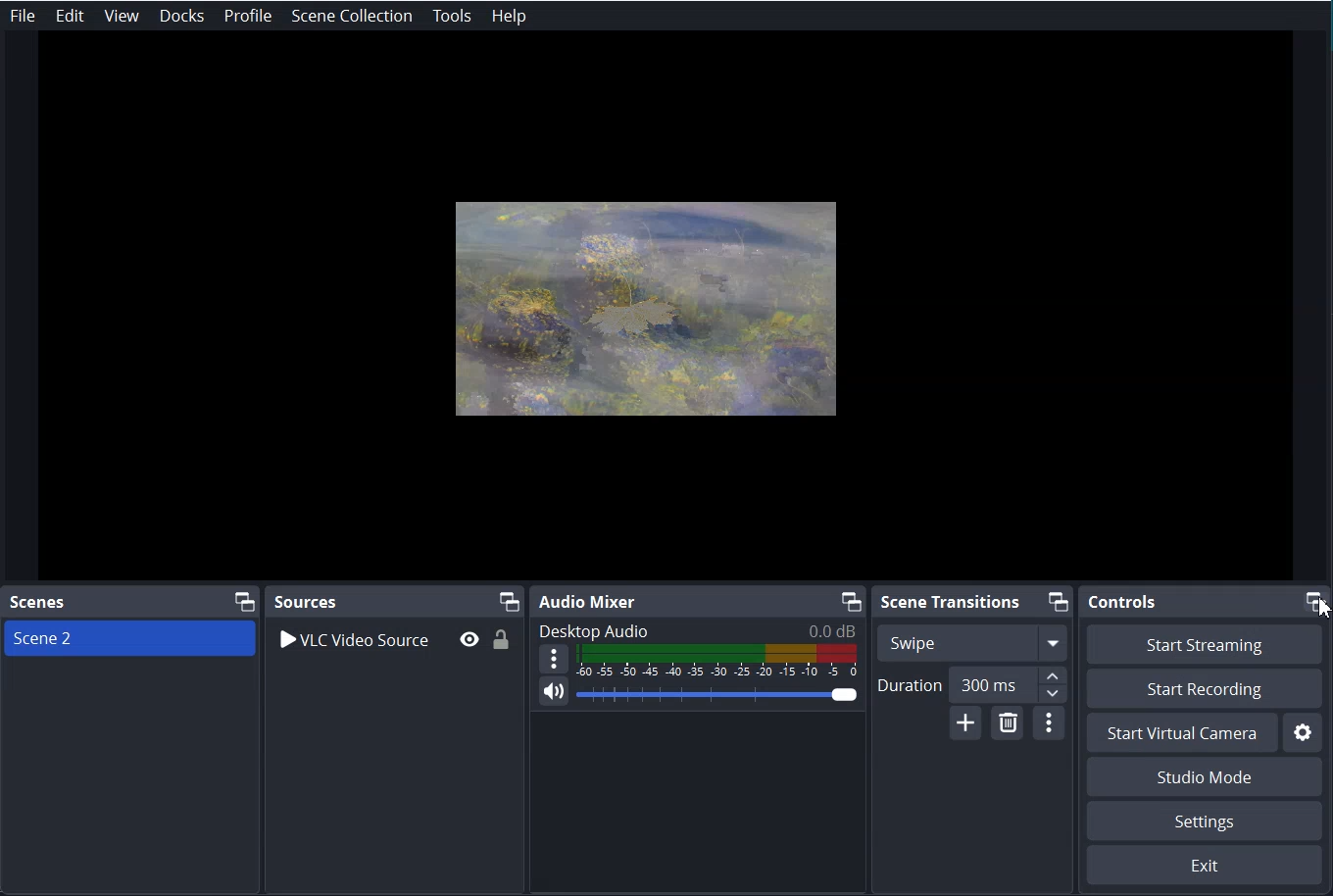 The image size is (1333, 896). I want to click on Controls, so click(1124, 601).